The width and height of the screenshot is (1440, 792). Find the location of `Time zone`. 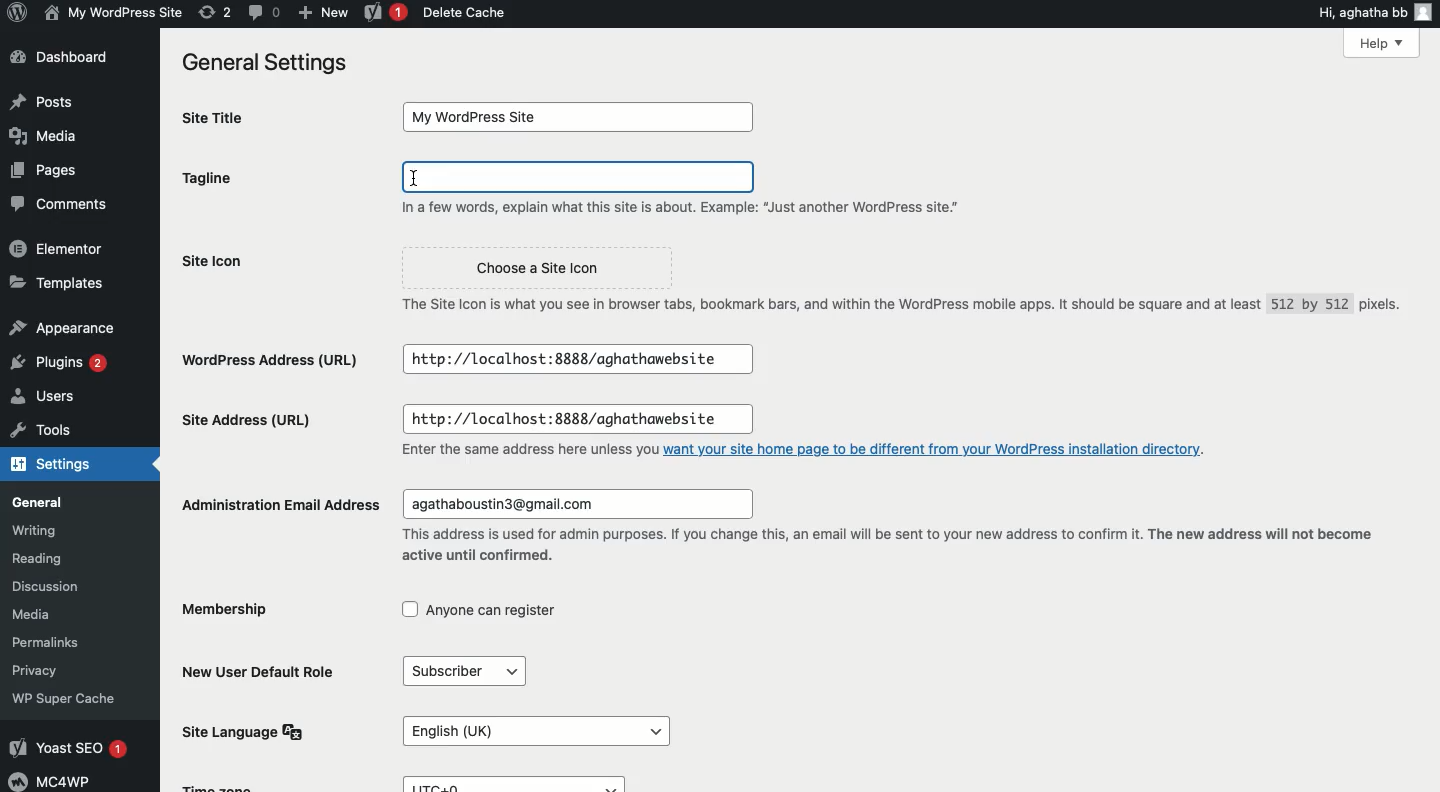

Time zone is located at coordinates (240, 785).